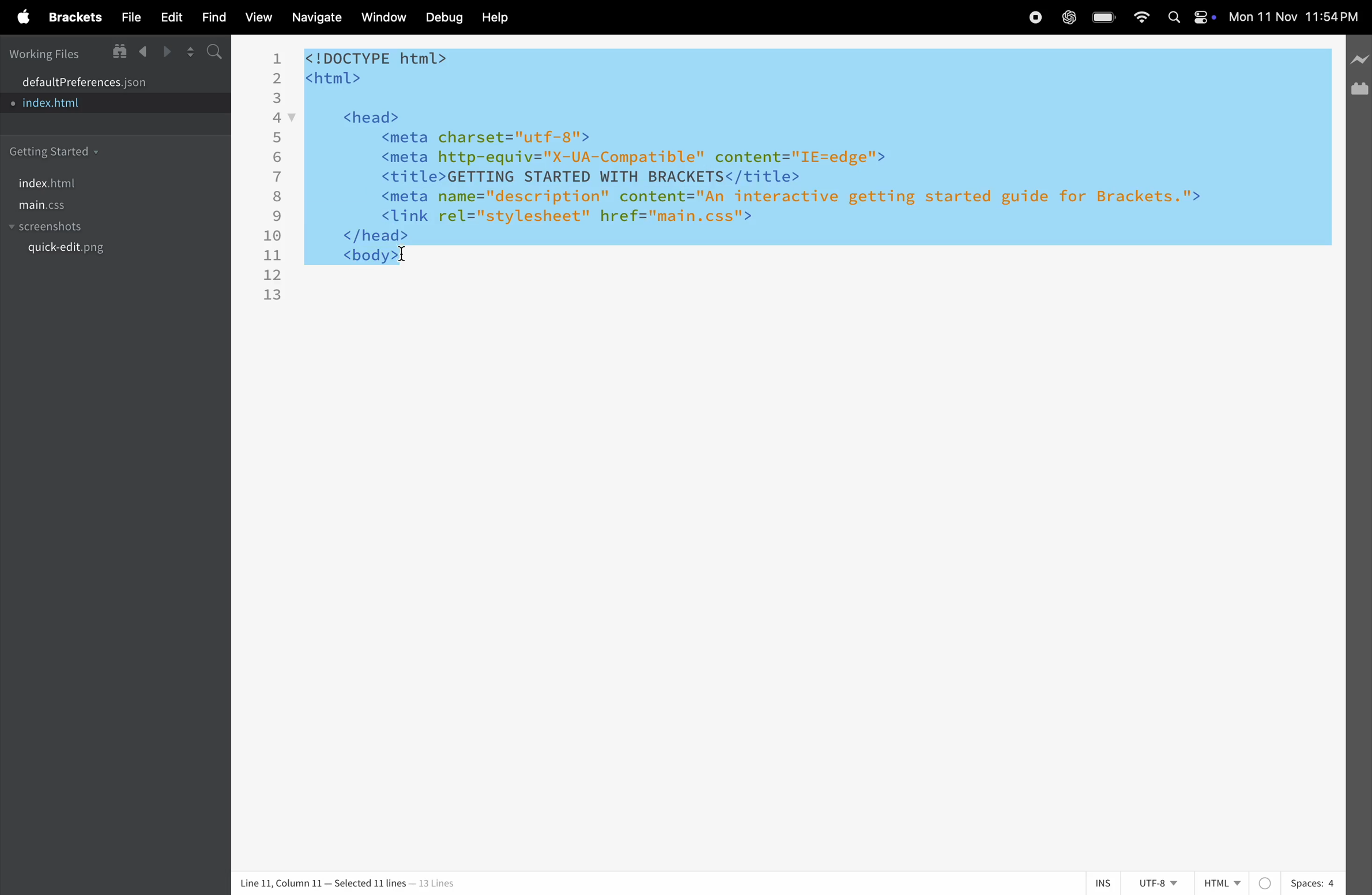  What do you see at coordinates (105, 208) in the screenshot?
I see `main.css` at bounding box center [105, 208].